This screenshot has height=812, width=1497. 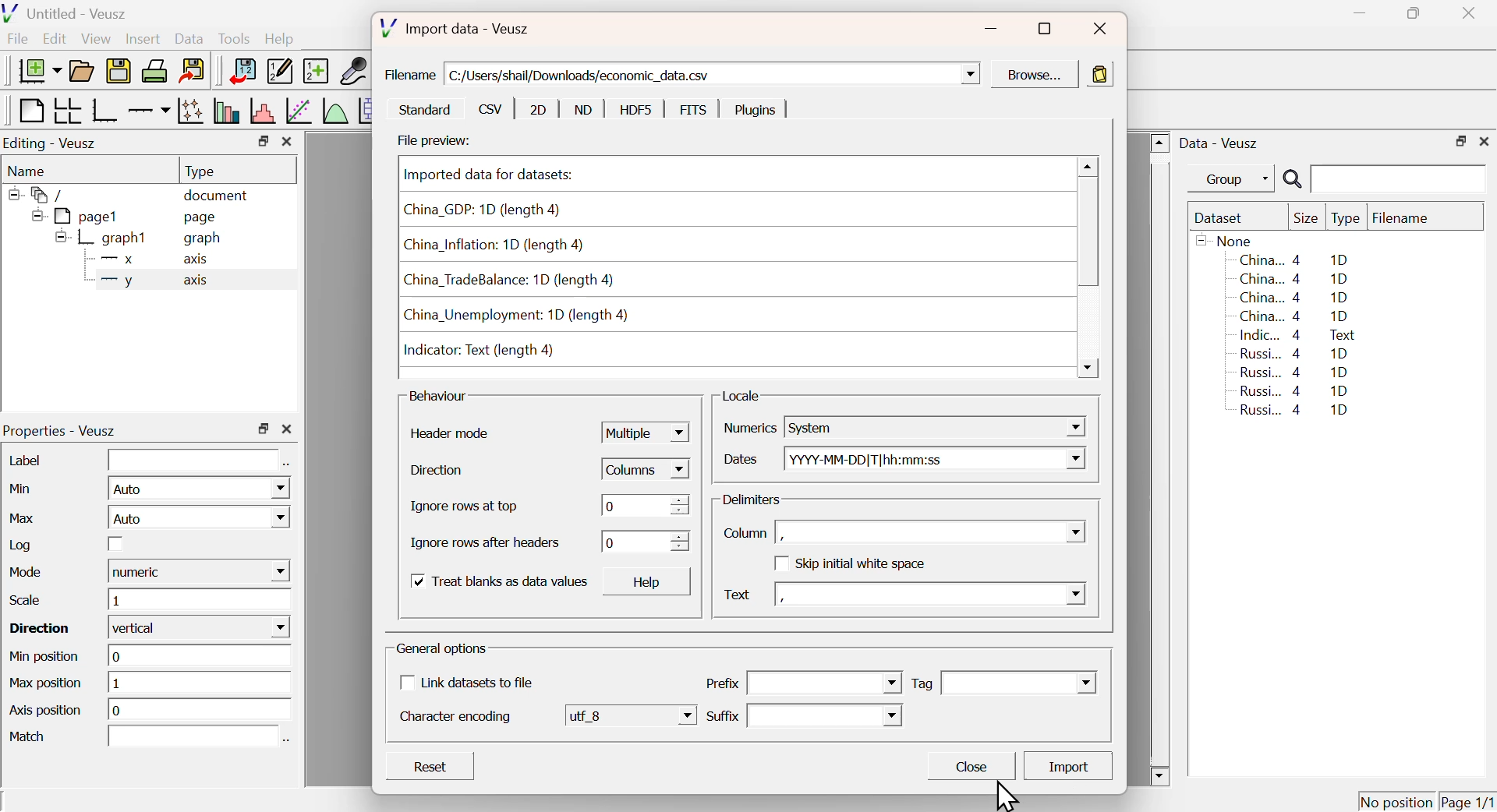 What do you see at coordinates (406, 683) in the screenshot?
I see `Checkbox` at bounding box center [406, 683].